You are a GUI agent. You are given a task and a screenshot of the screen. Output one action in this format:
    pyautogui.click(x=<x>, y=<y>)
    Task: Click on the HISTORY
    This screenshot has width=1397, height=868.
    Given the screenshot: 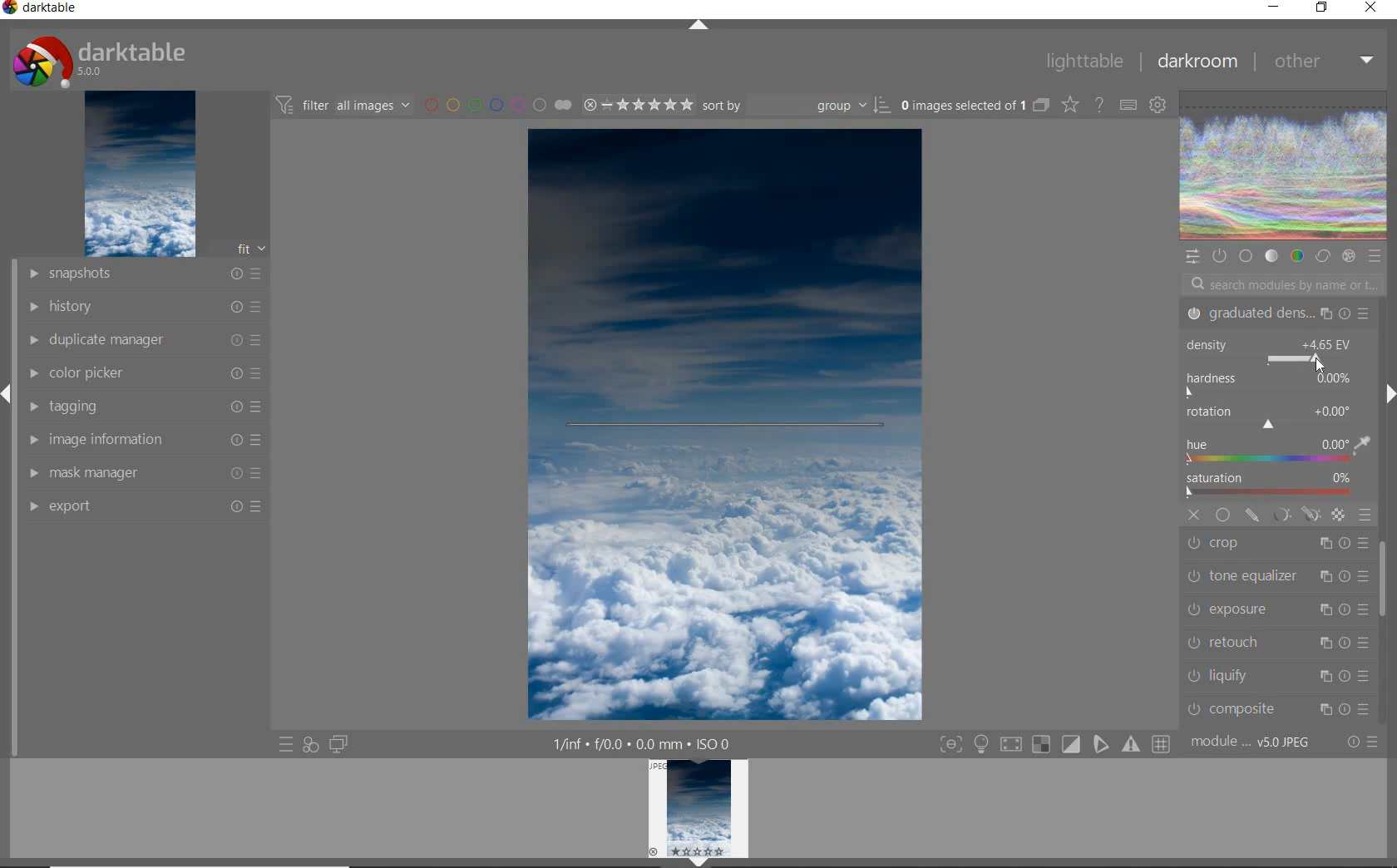 What is the action you would take?
    pyautogui.click(x=143, y=305)
    